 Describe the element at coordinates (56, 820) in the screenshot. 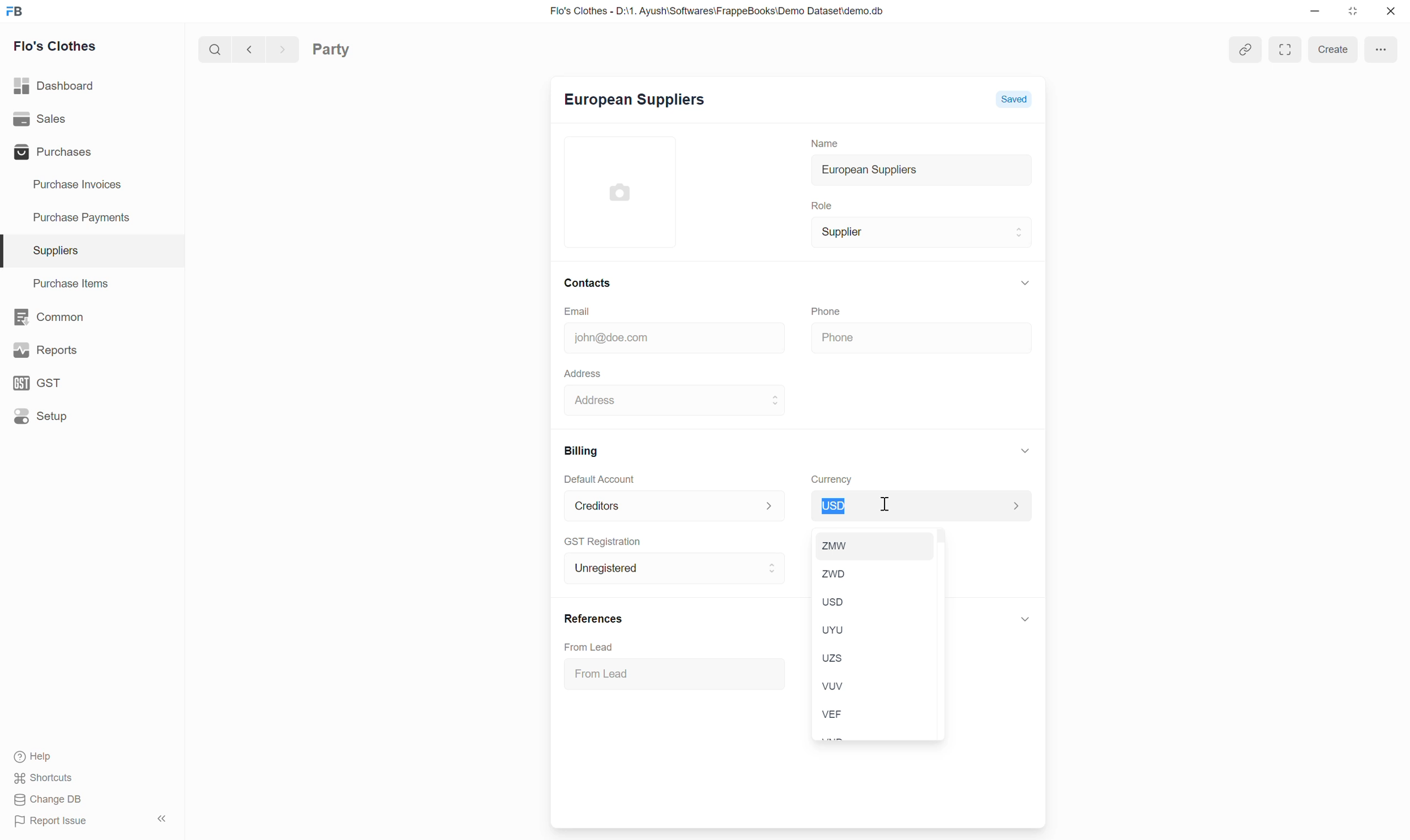

I see `Report Issue` at that location.